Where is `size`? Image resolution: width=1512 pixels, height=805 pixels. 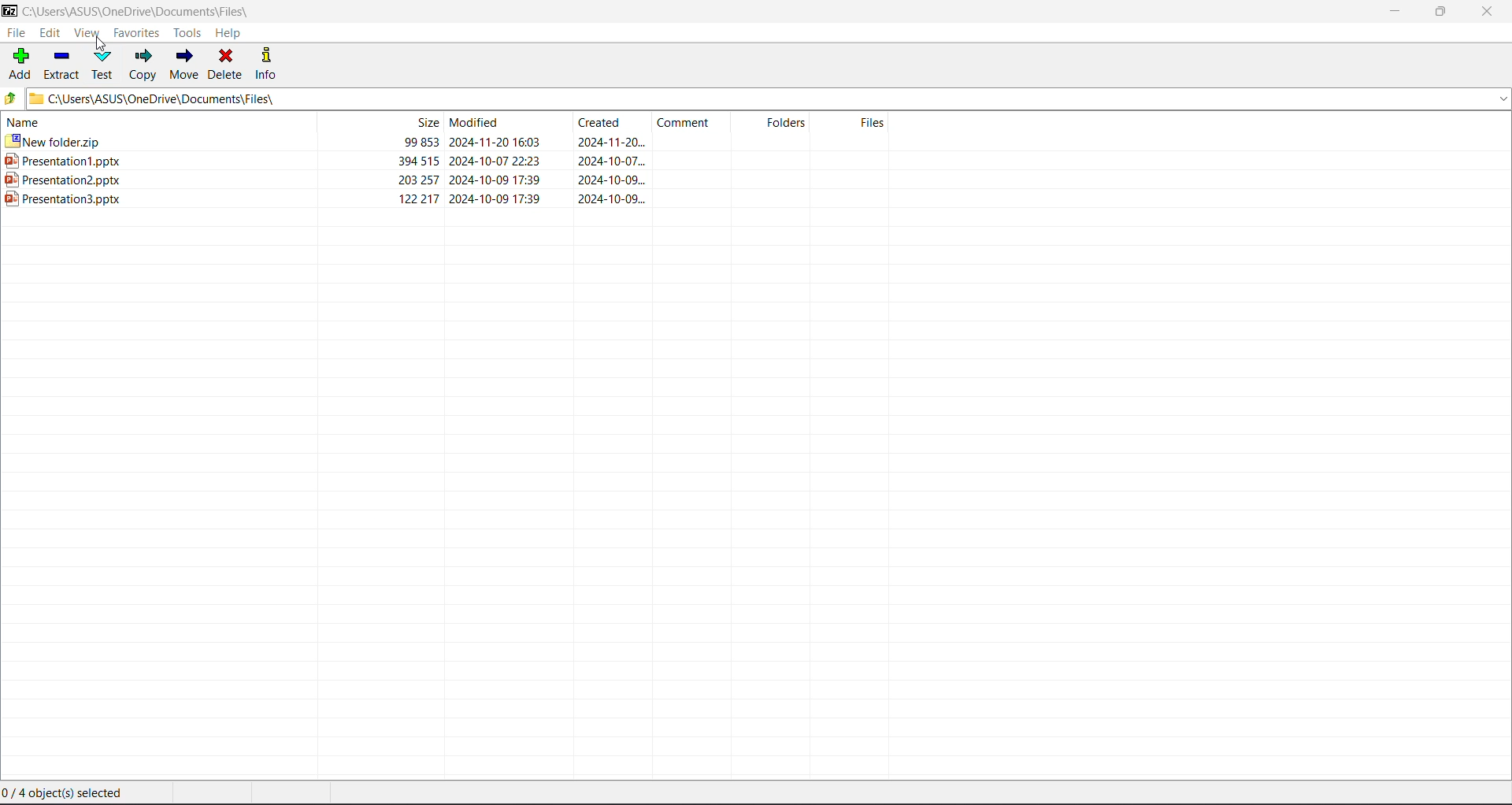
size is located at coordinates (381, 121).